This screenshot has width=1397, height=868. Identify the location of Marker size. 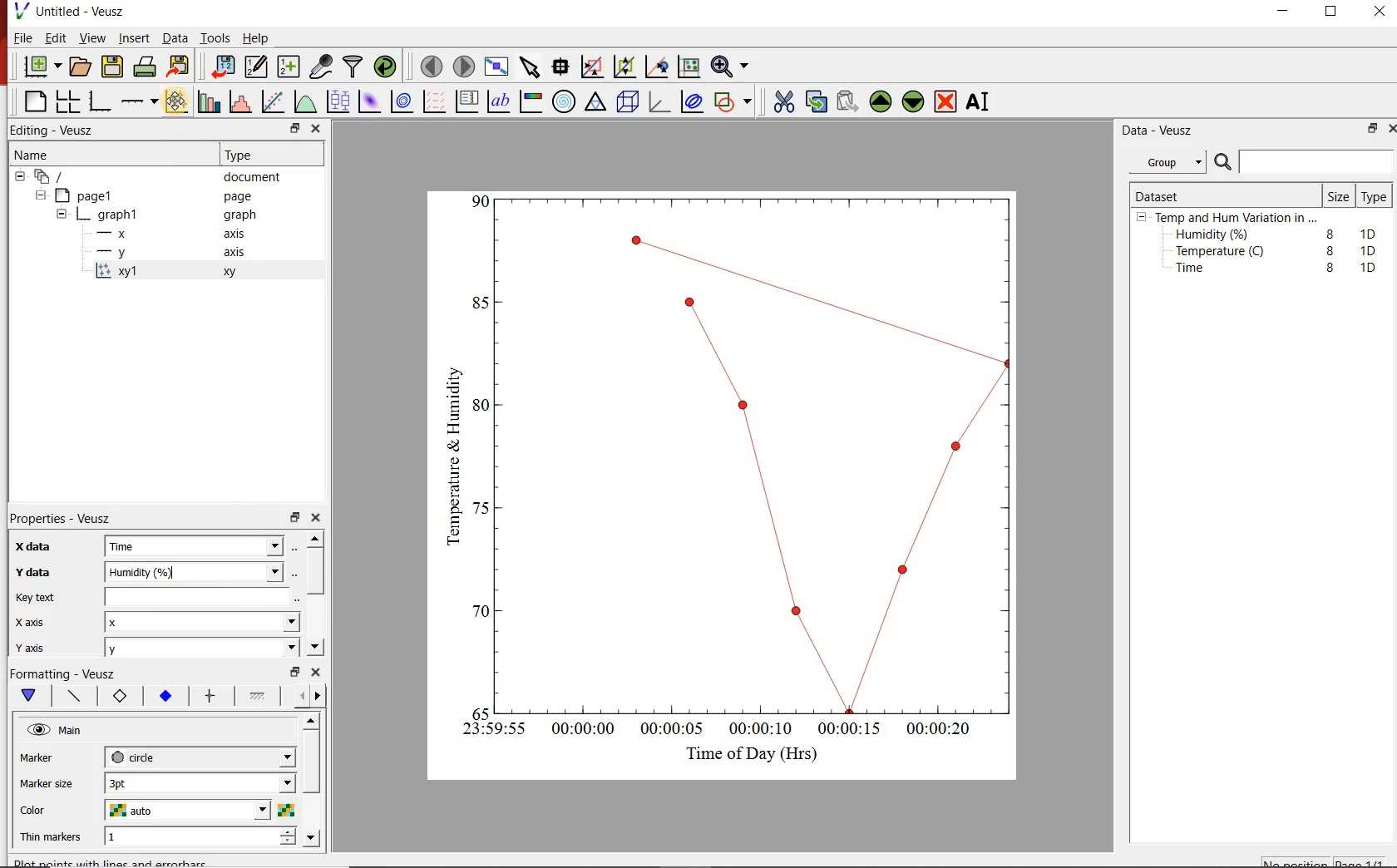
(54, 782).